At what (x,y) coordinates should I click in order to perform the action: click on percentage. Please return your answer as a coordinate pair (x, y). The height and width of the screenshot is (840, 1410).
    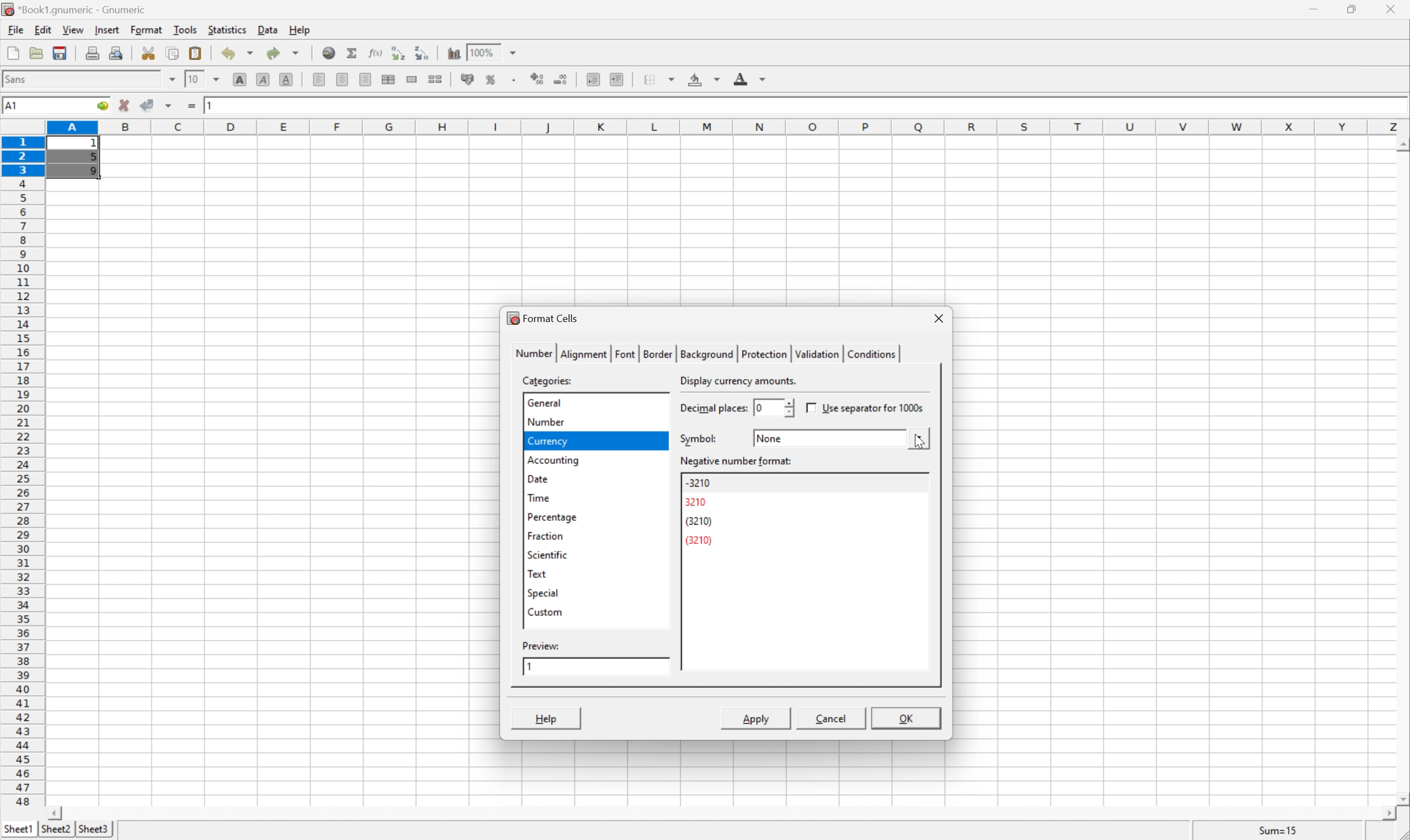
    Looking at the image, I should click on (553, 517).